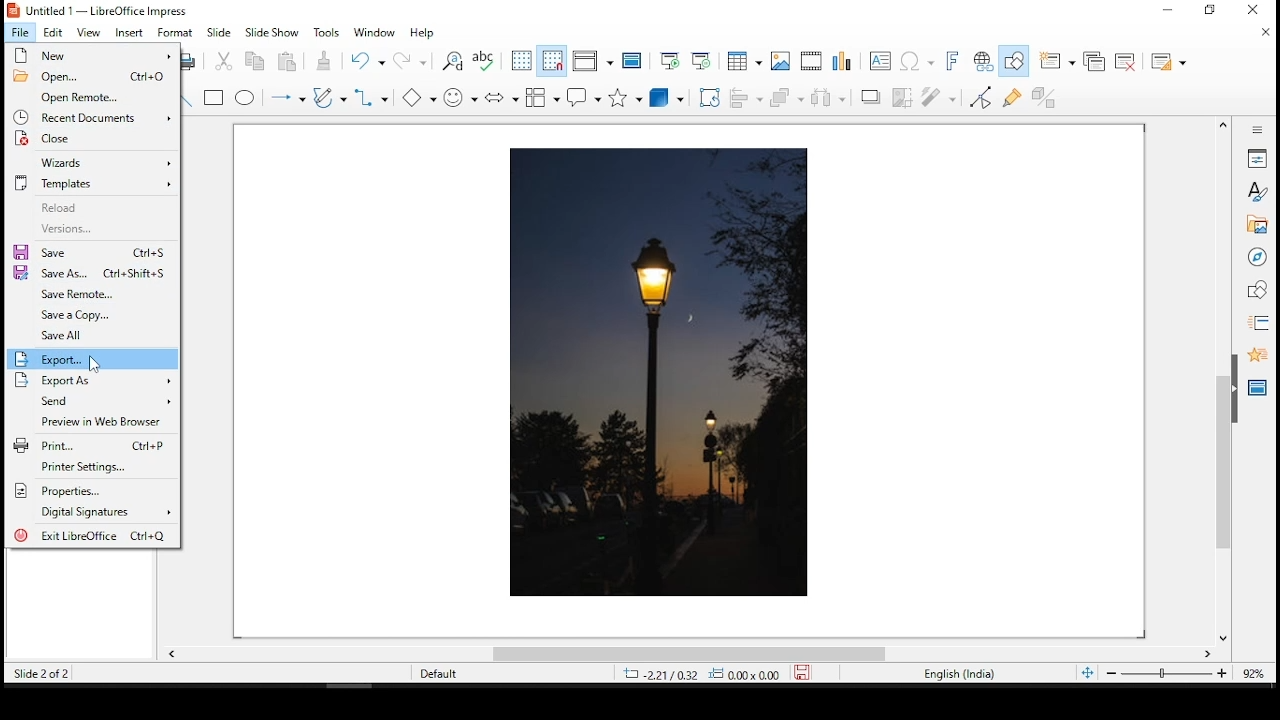 Image resolution: width=1280 pixels, height=720 pixels. Describe the element at coordinates (596, 61) in the screenshot. I see `display views` at that location.